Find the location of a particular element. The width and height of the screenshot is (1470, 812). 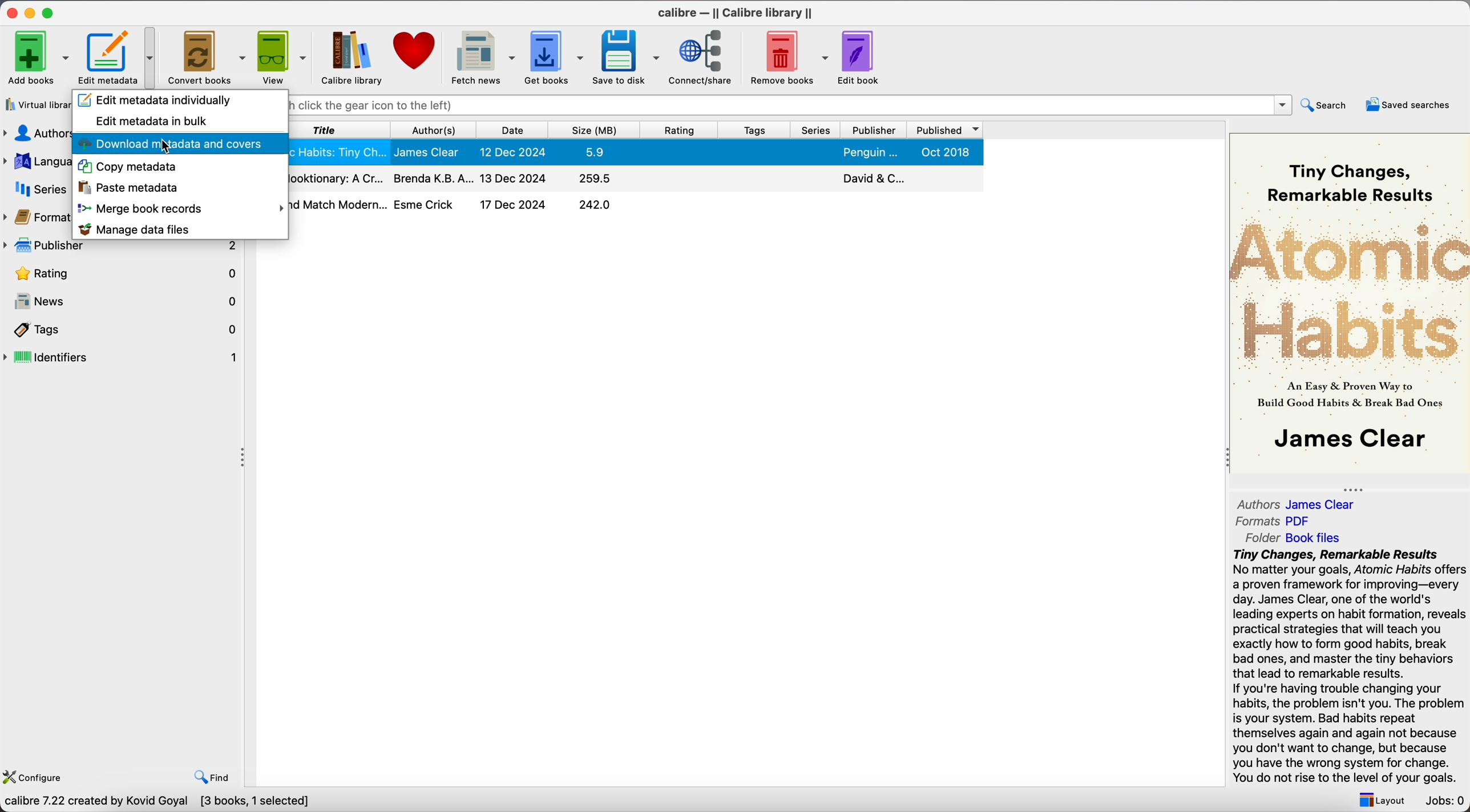

connect/share is located at coordinates (705, 57).